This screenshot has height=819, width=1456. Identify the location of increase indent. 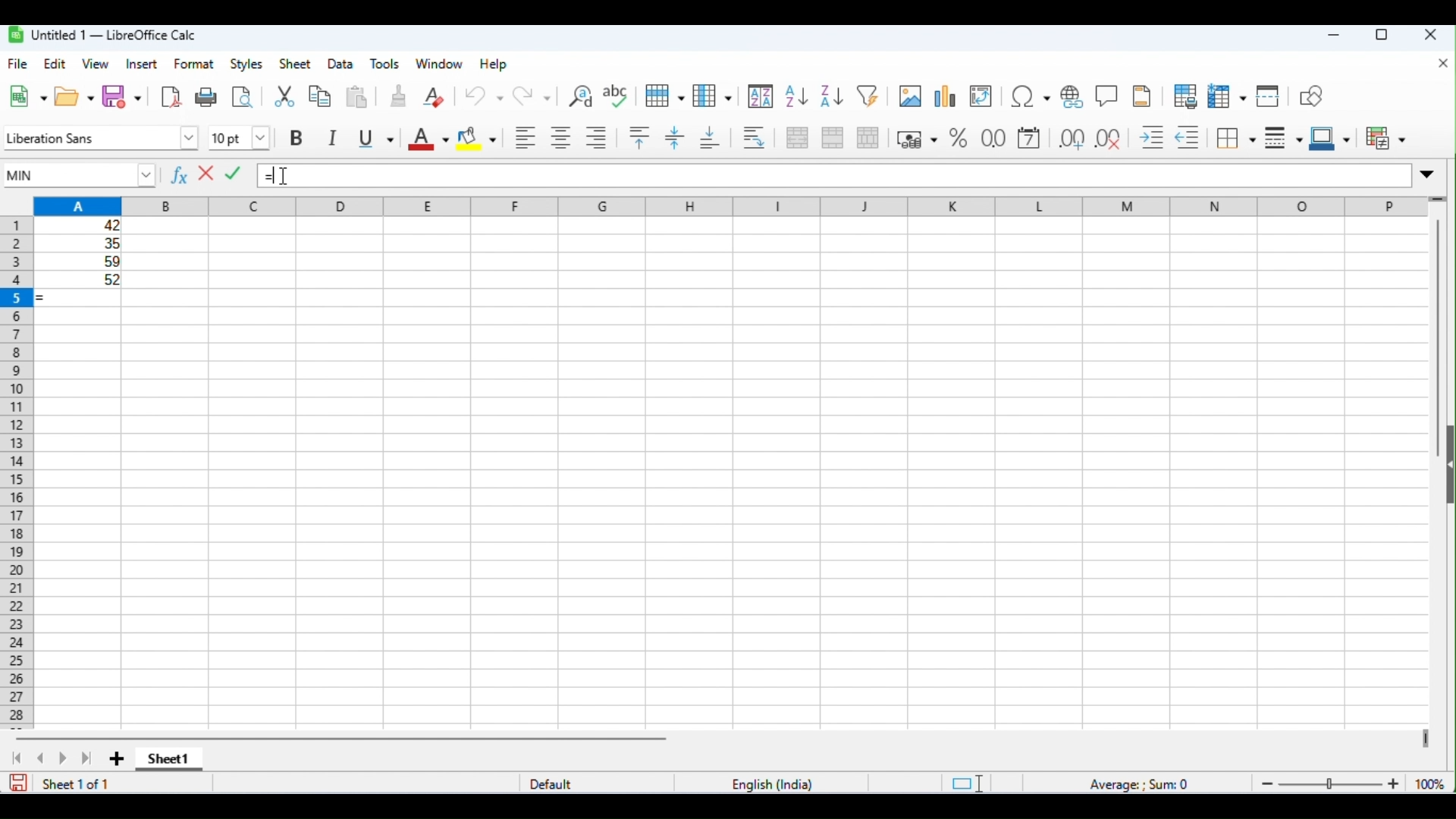
(1153, 136).